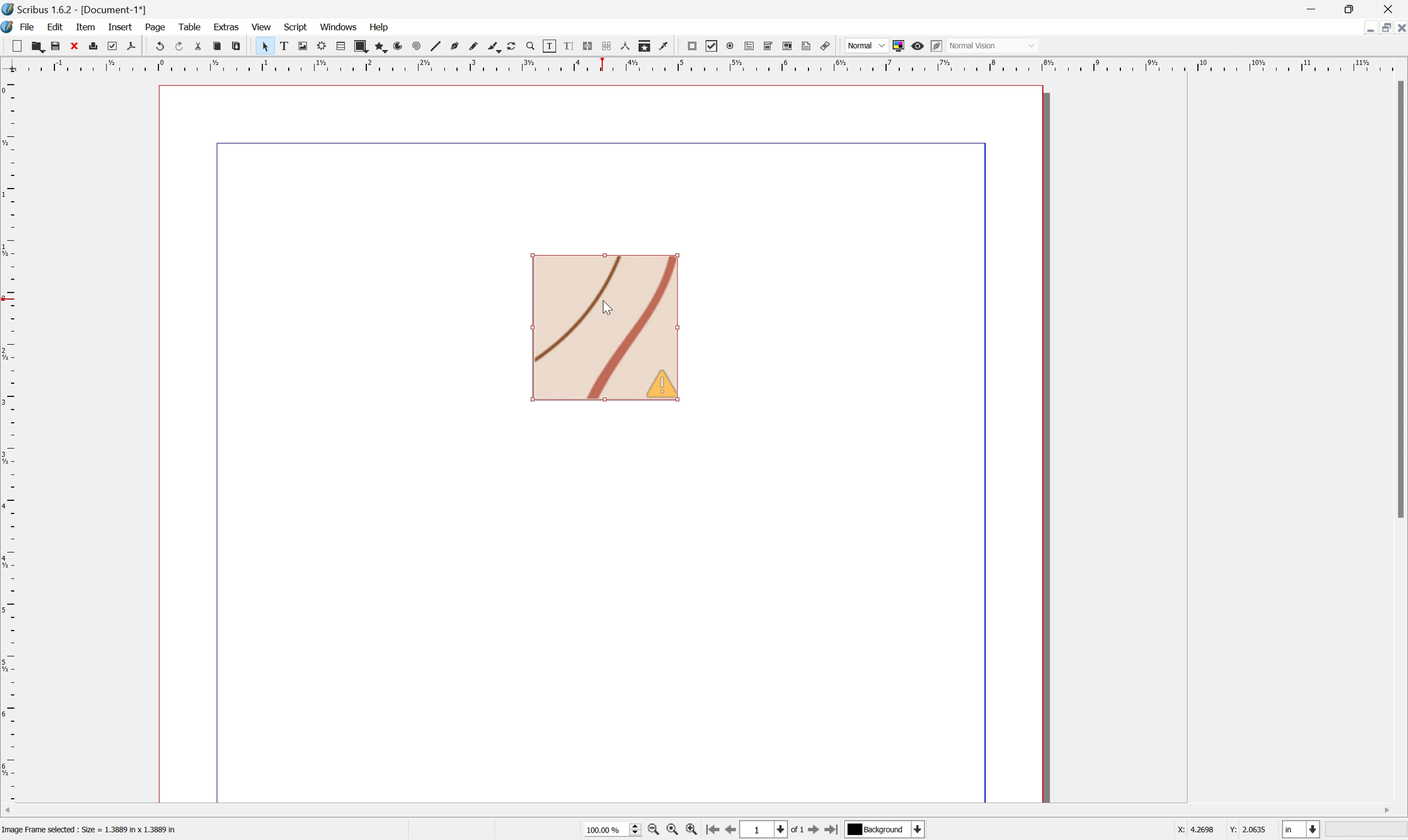  What do you see at coordinates (606, 329) in the screenshot?
I see `Image` at bounding box center [606, 329].